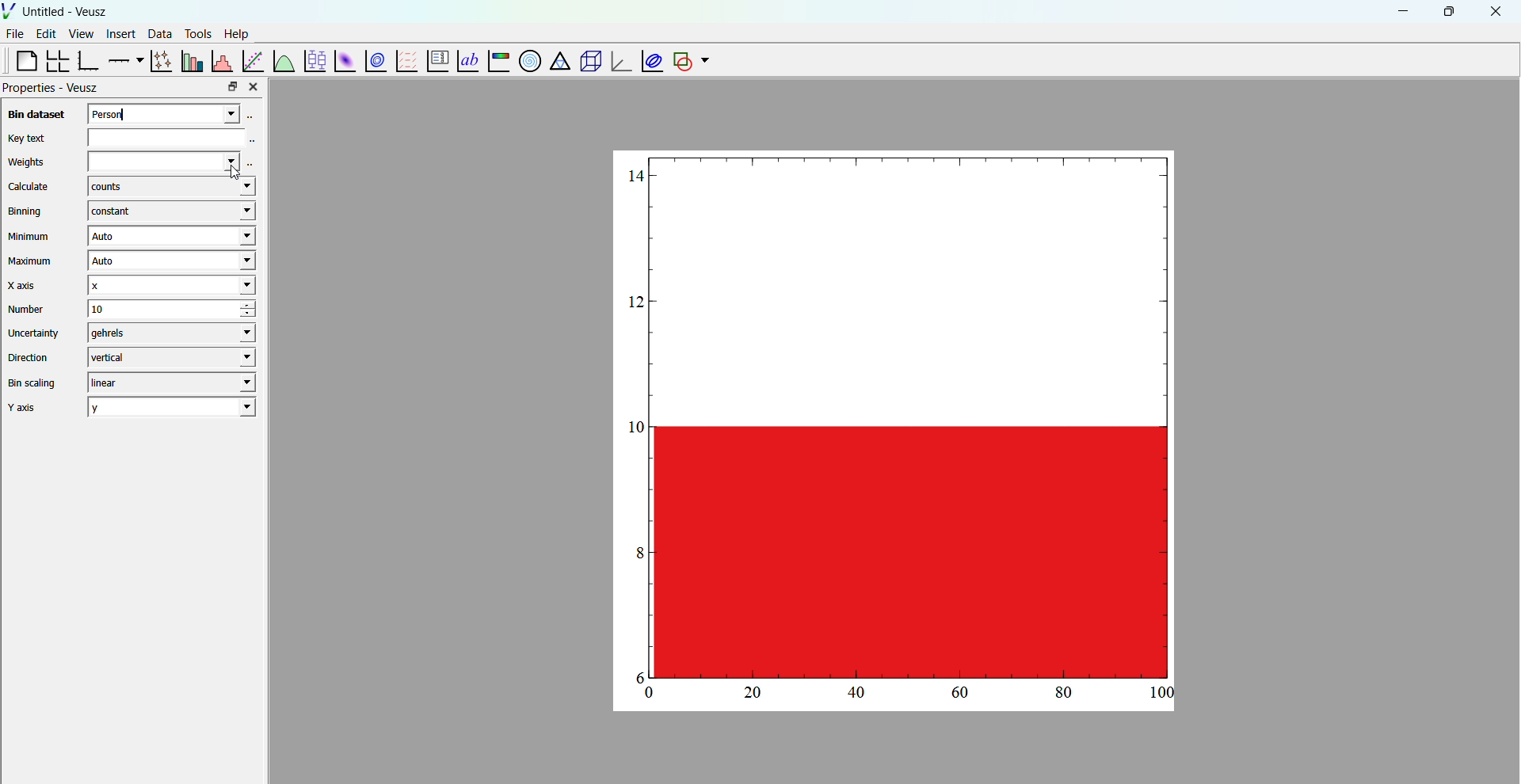 Image resolution: width=1521 pixels, height=784 pixels. What do you see at coordinates (237, 32) in the screenshot?
I see `help` at bounding box center [237, 32].